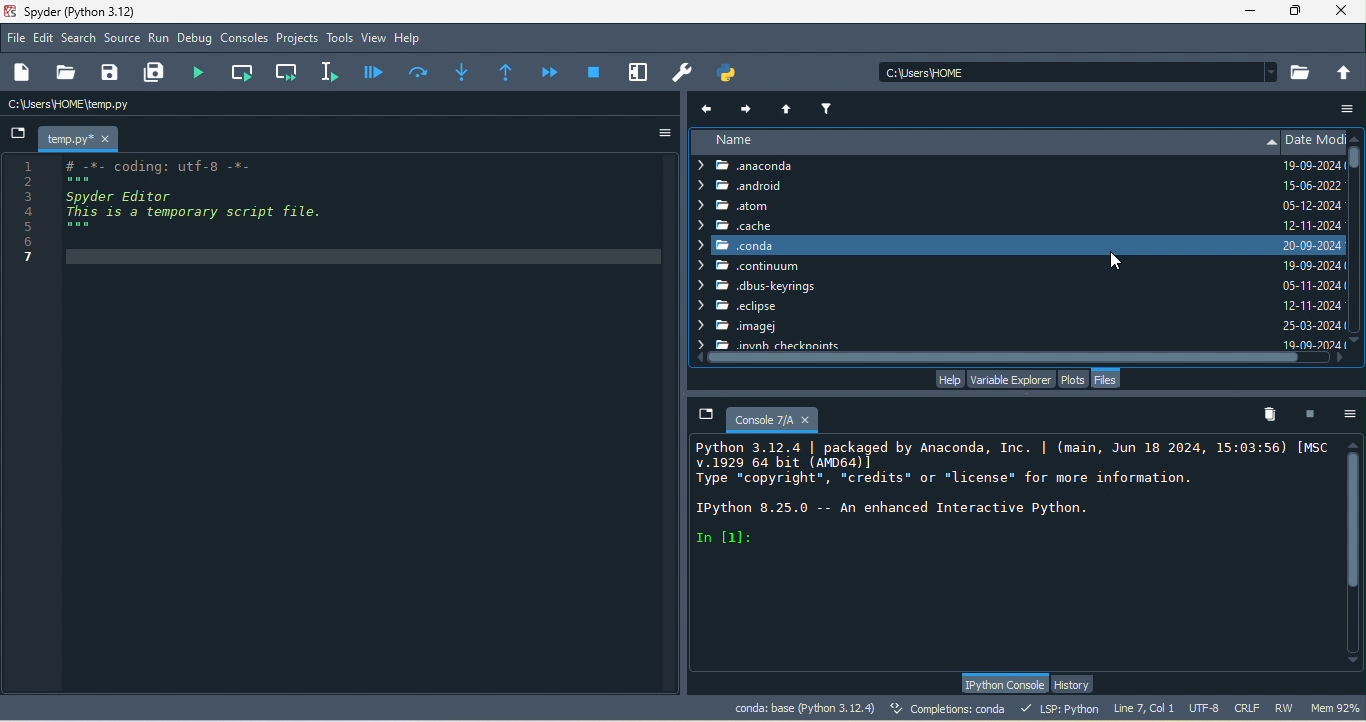 This screenshot has width=1366, height=722. Describe the element at coordinates (1074, 378) in the screenshot. I see `plots` at that location.